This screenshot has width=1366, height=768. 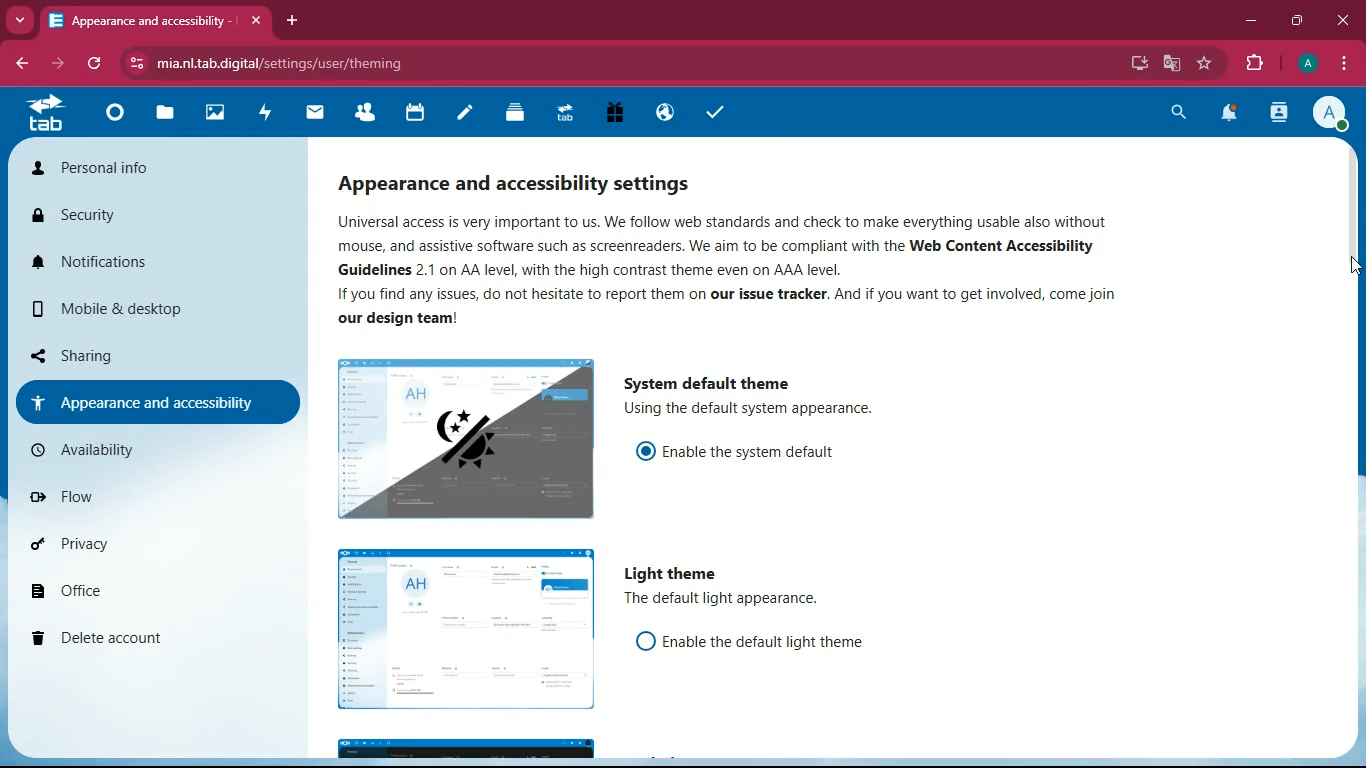 I want to click on flow, so click(x=154, y=502).